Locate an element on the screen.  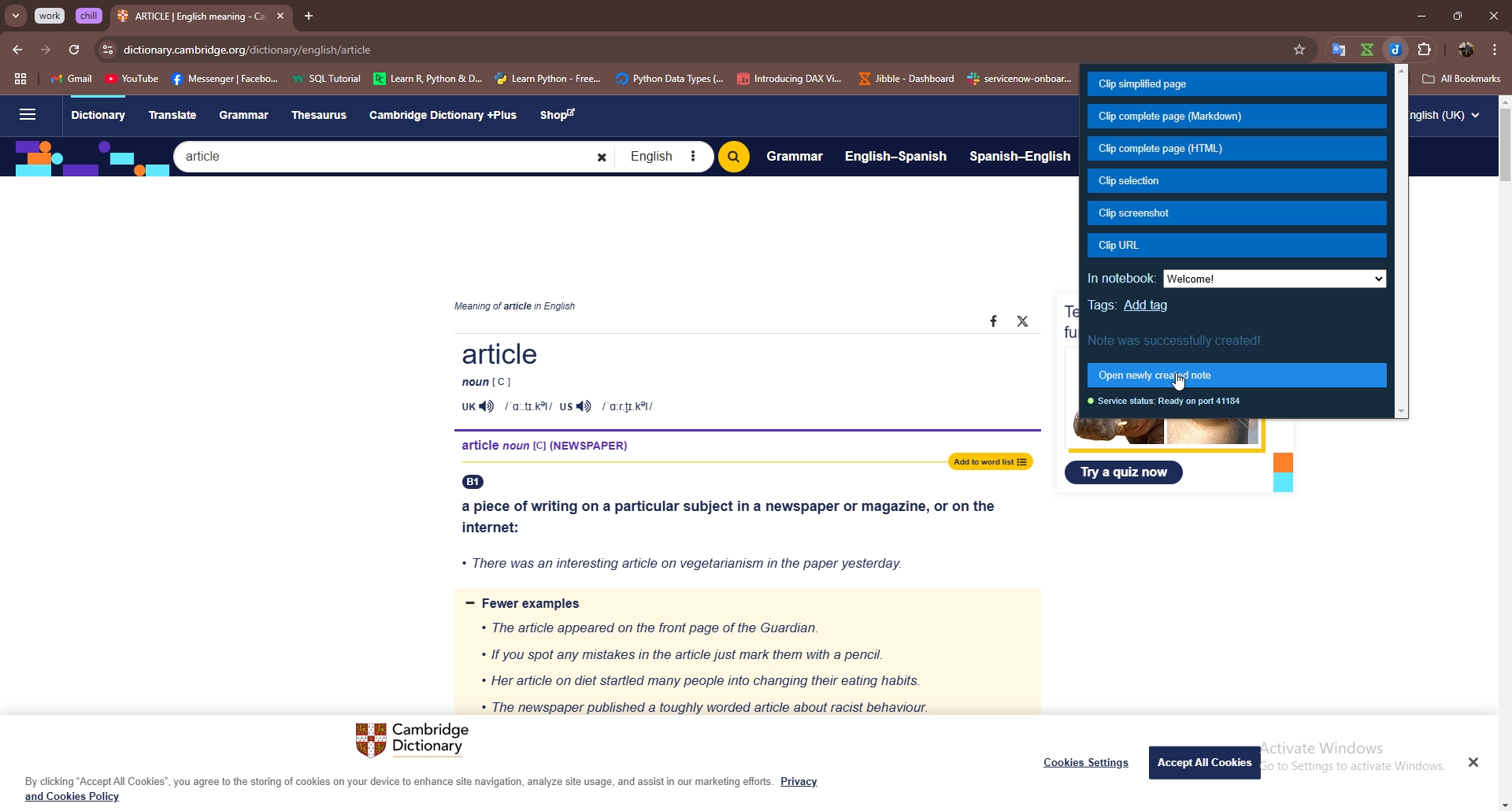
Shop is located at coordinates (562, 116).